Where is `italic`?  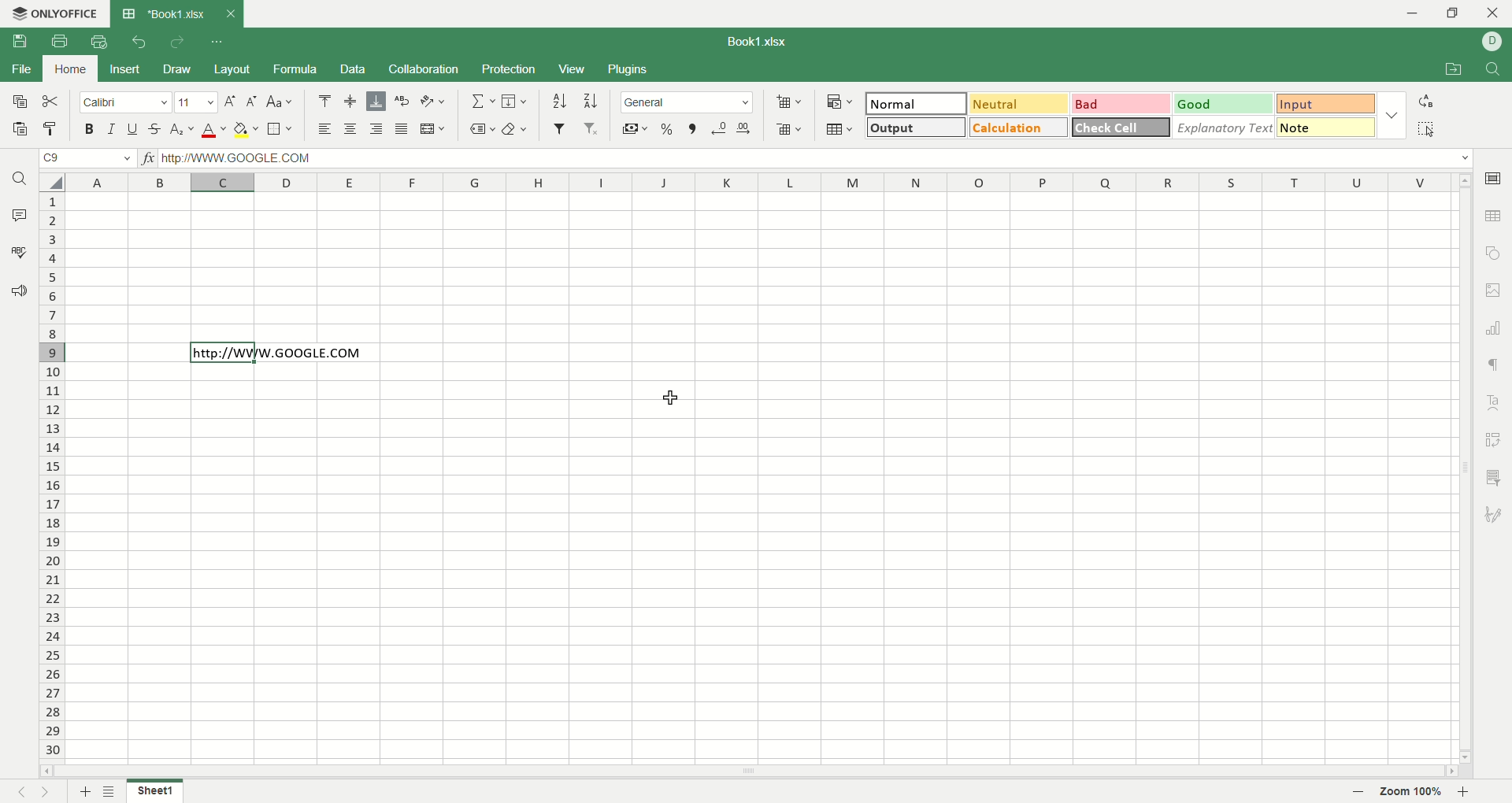 italic is located at coordinates (112, 128).